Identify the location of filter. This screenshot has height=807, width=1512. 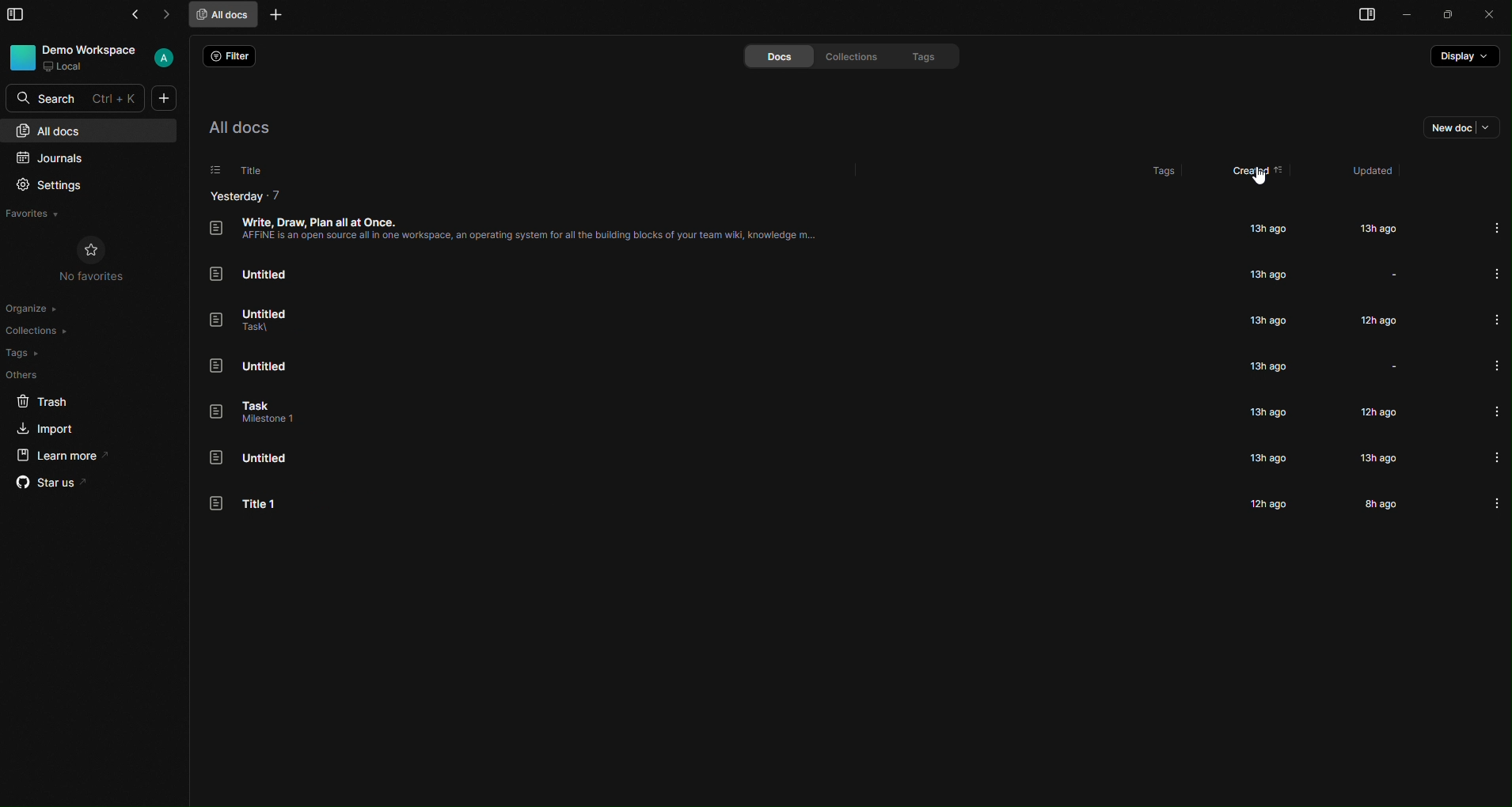
(233, 53).